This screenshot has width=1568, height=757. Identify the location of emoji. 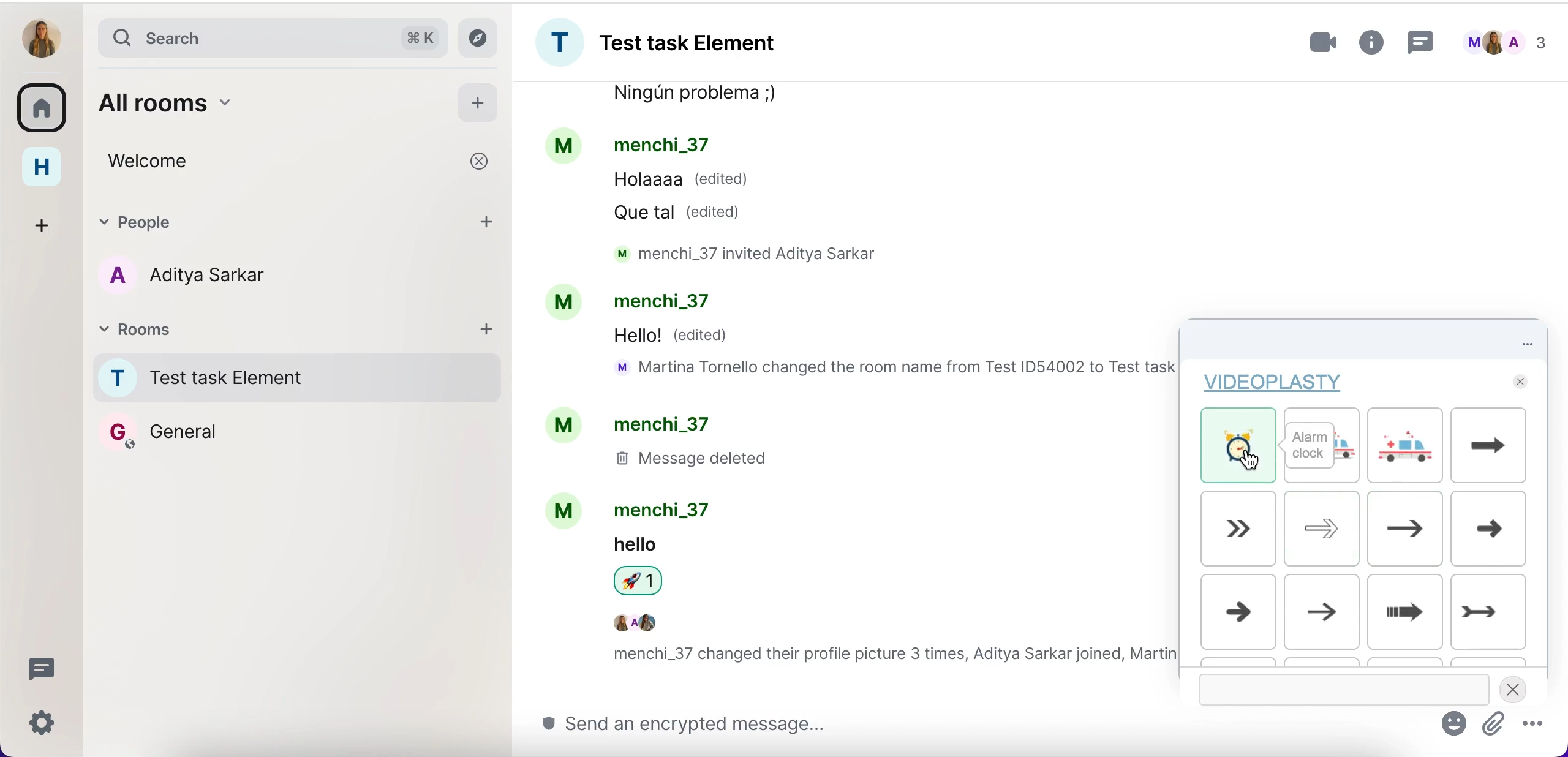
(1454, 725).